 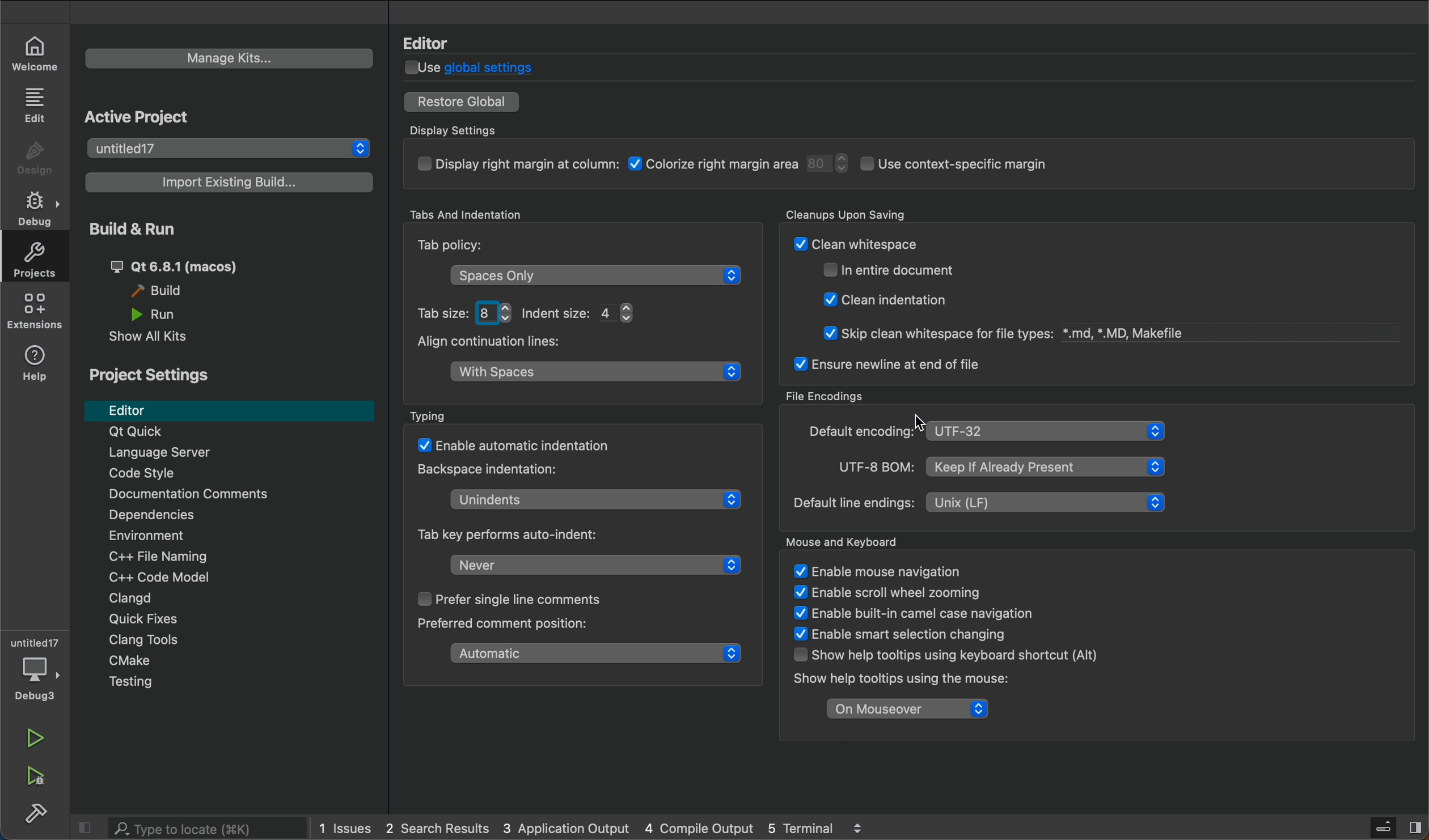 I want to click on cmake, so click(x=217, y=662).